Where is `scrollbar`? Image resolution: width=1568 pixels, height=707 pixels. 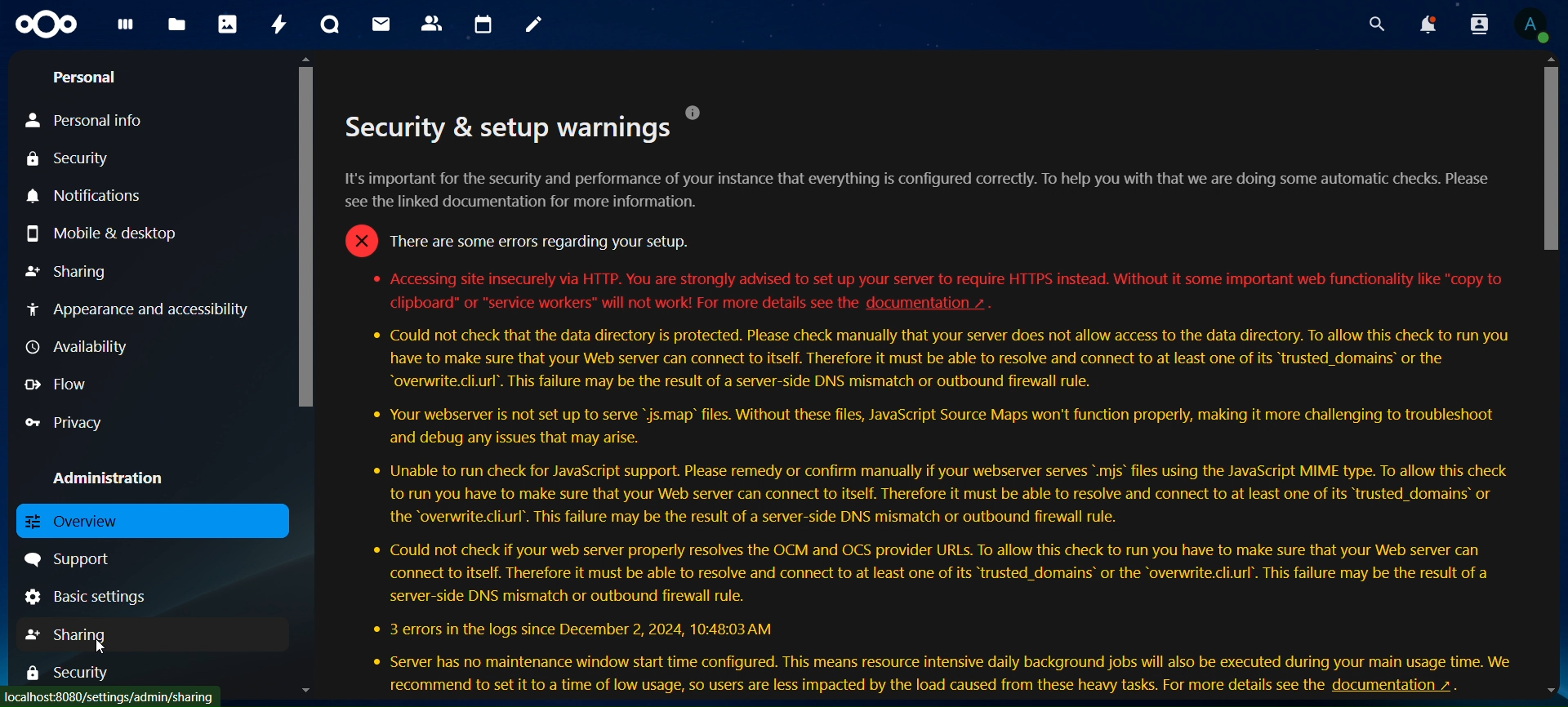 scrollbar is located at coordinates (305, 231).